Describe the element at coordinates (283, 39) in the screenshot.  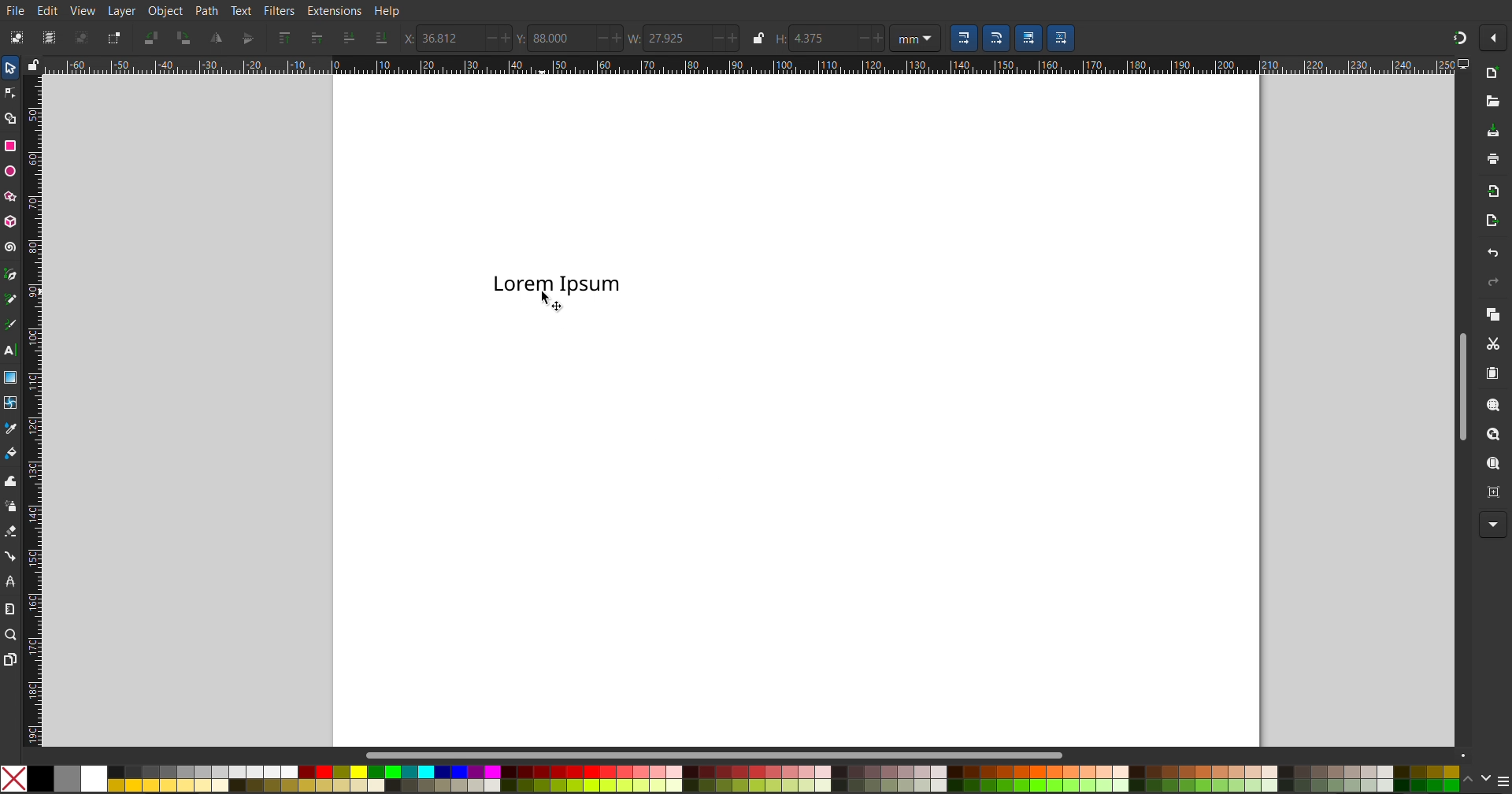
I see `Raise selection to the top` at that location.